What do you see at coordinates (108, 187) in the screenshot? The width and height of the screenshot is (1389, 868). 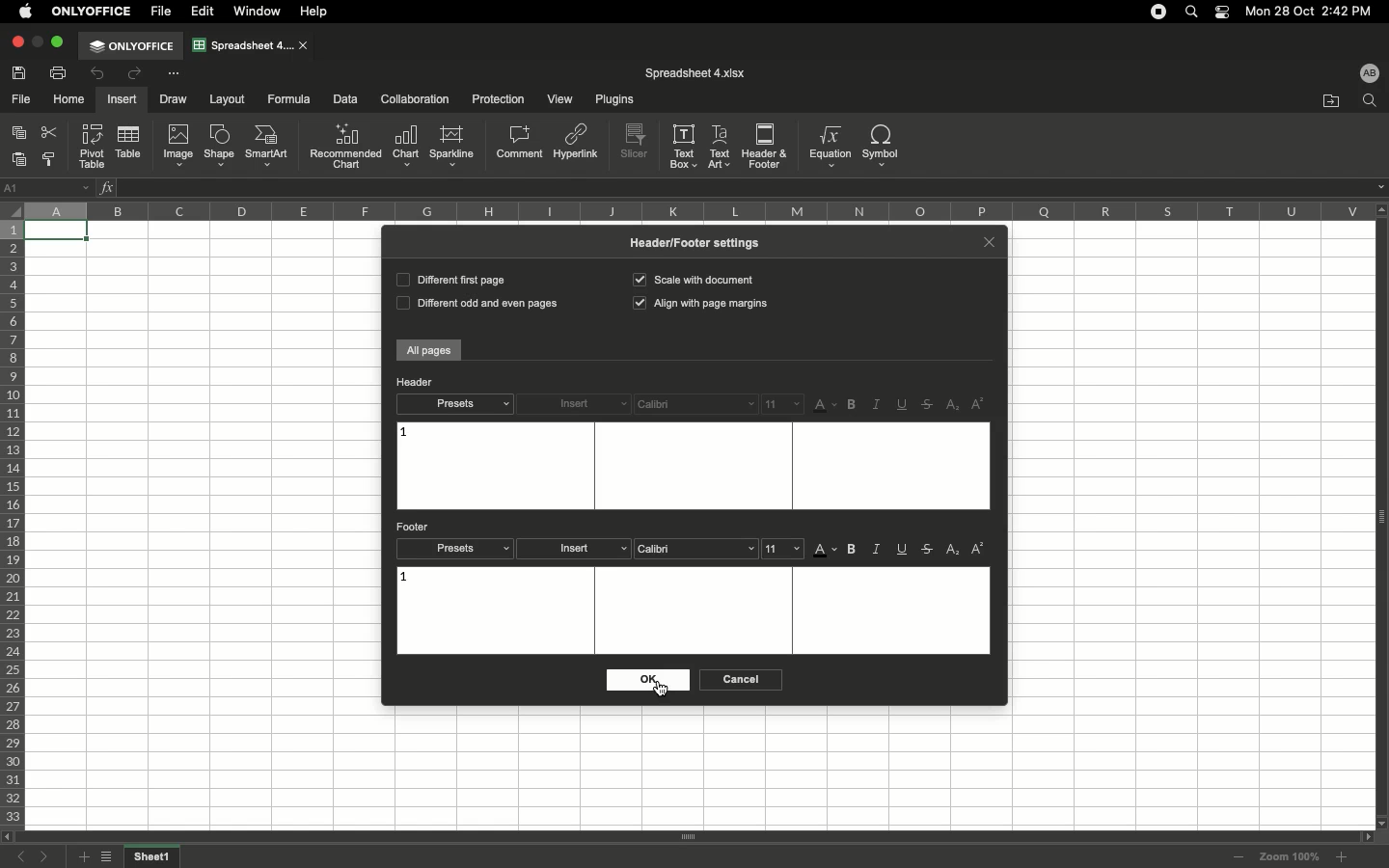 I see `Insert function` at bounding box center [108, 187].